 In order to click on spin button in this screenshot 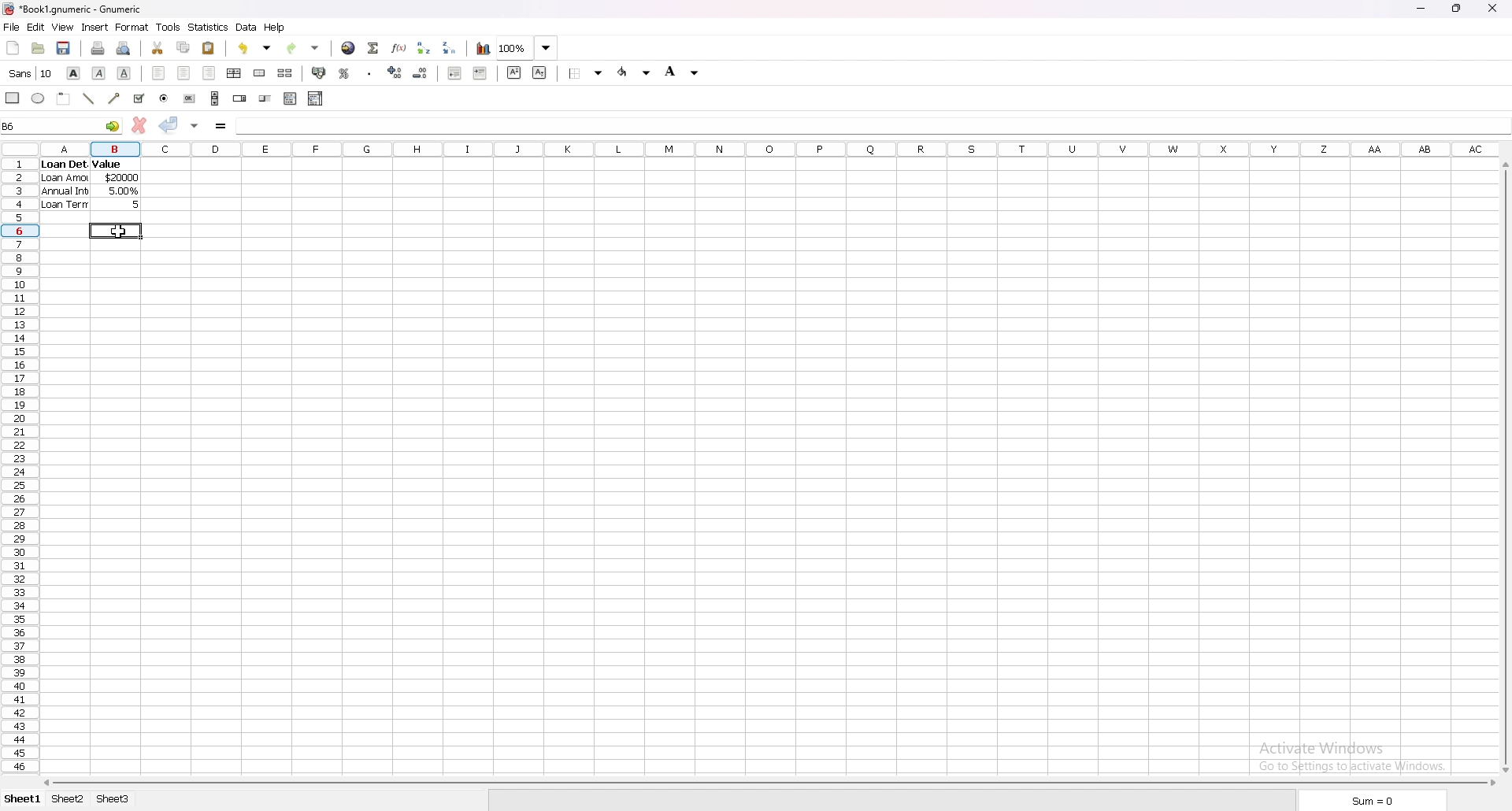, I will do `click(240, 98)`.